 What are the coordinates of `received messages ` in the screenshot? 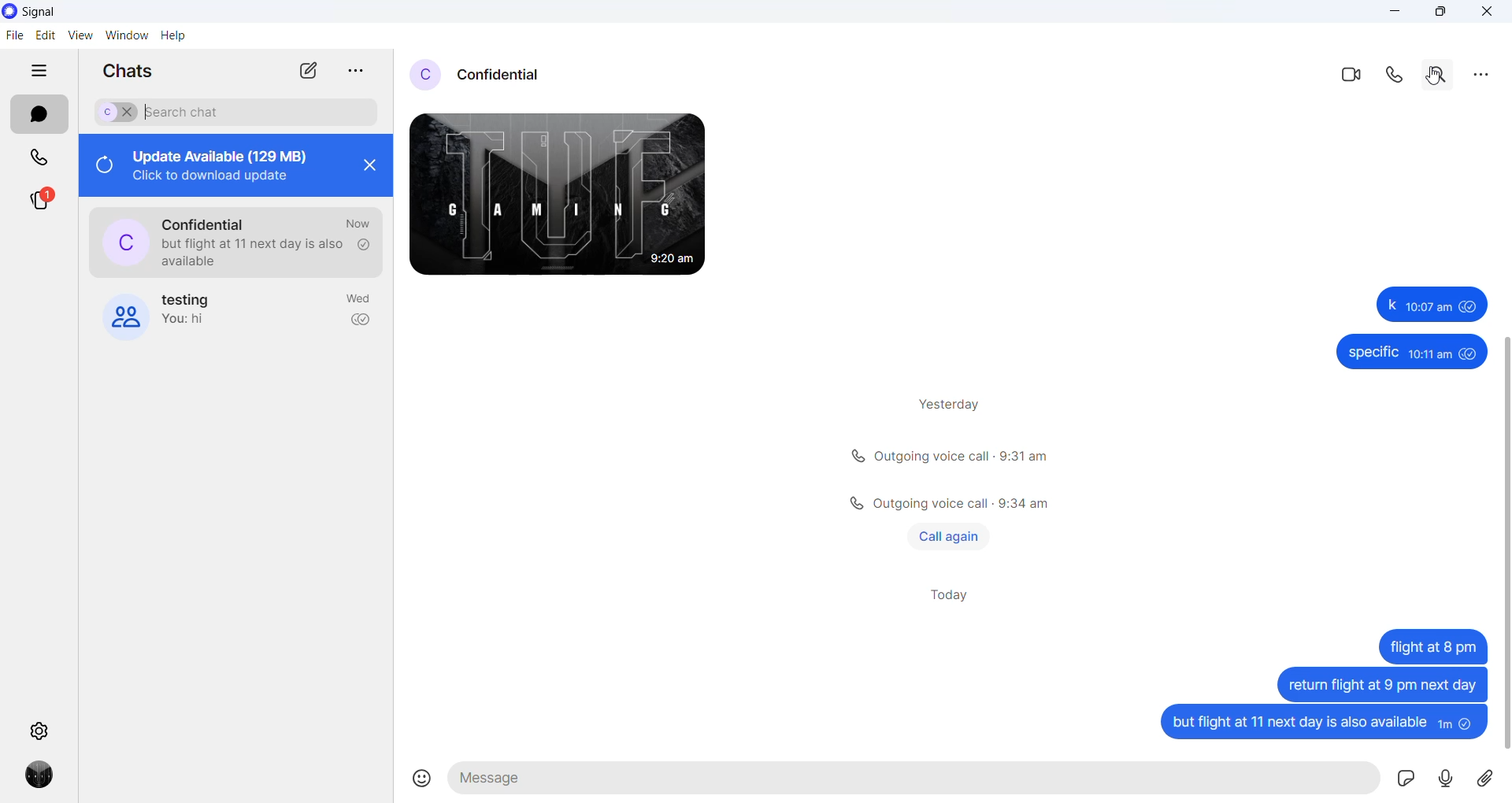 It's located at (574, 199).